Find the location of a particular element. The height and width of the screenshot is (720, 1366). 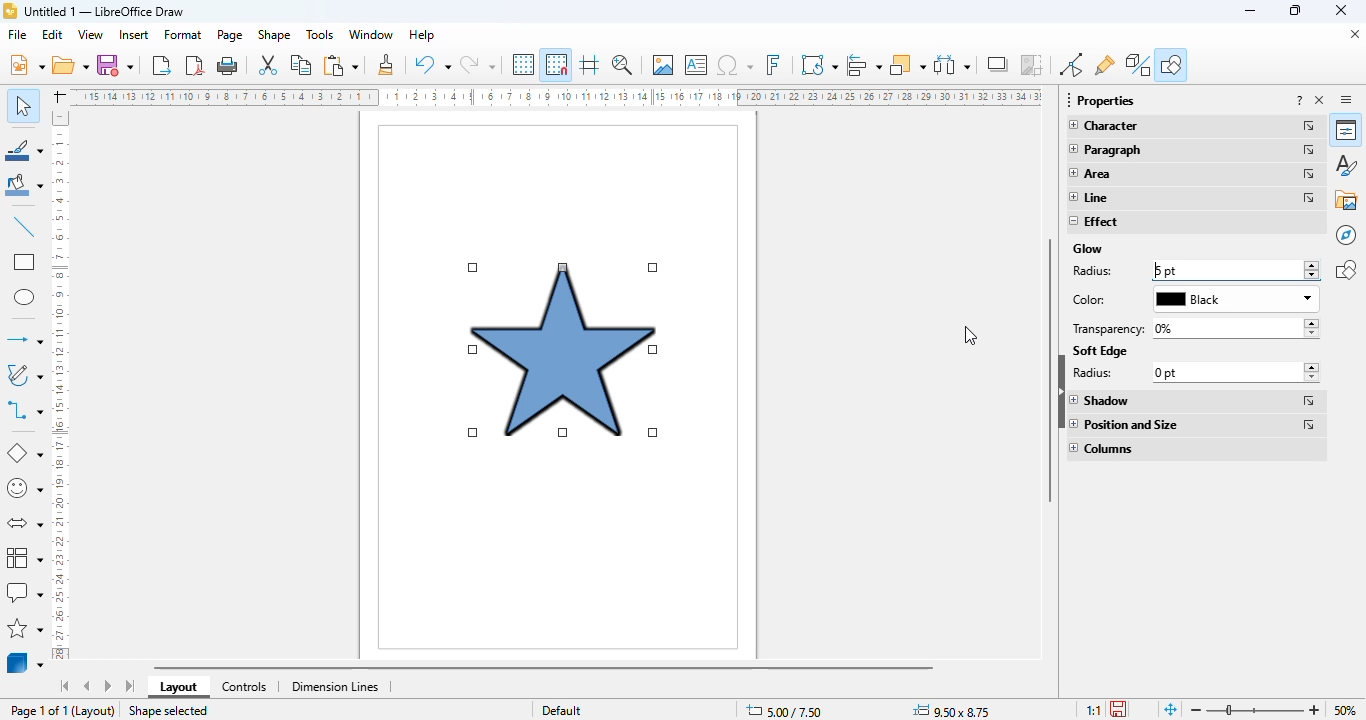

paste is located at coordinates (341, 66).